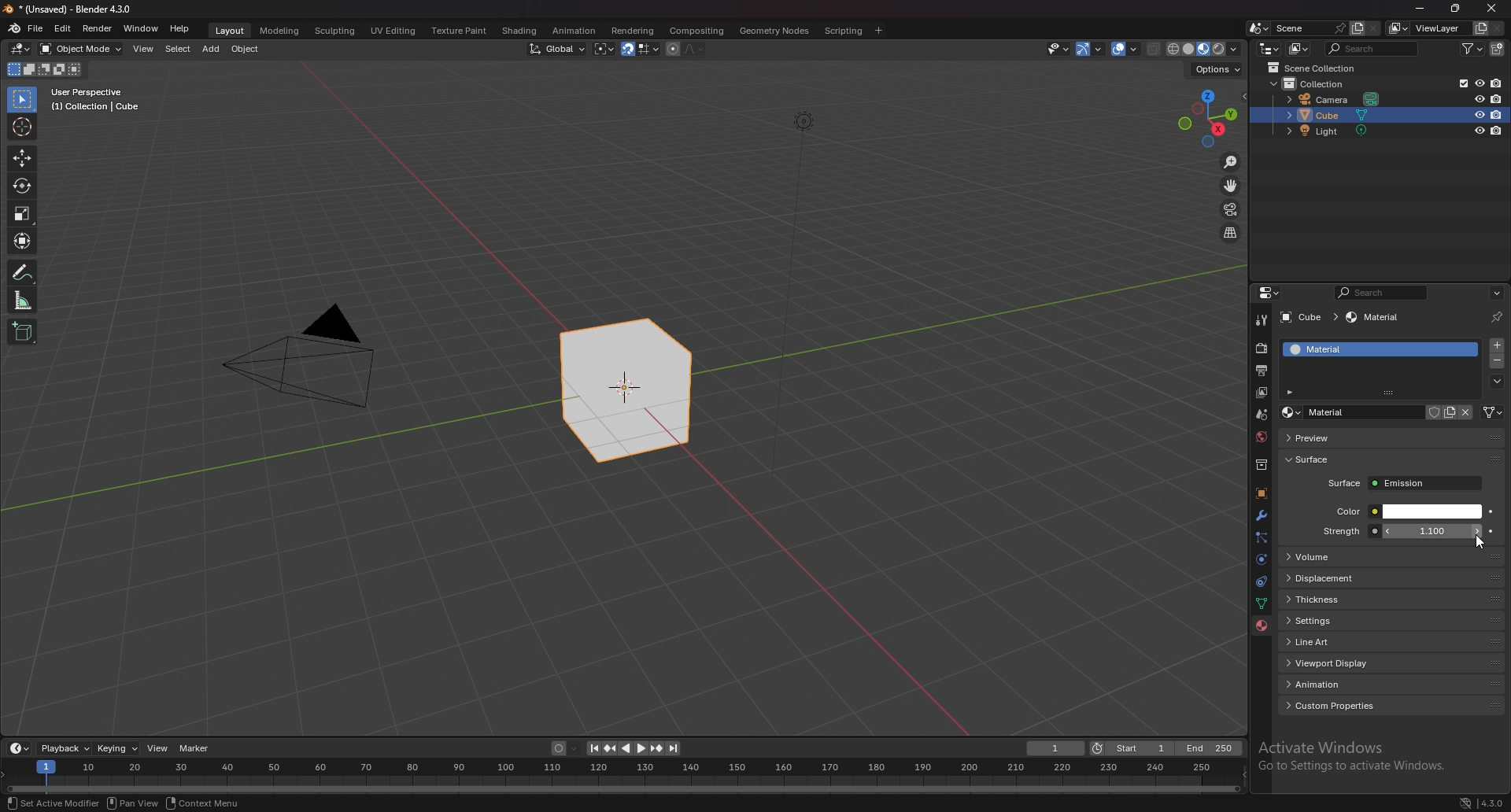  Describe the element at coordinates (1263, 348) in the screenshot. I see `render` at that location.